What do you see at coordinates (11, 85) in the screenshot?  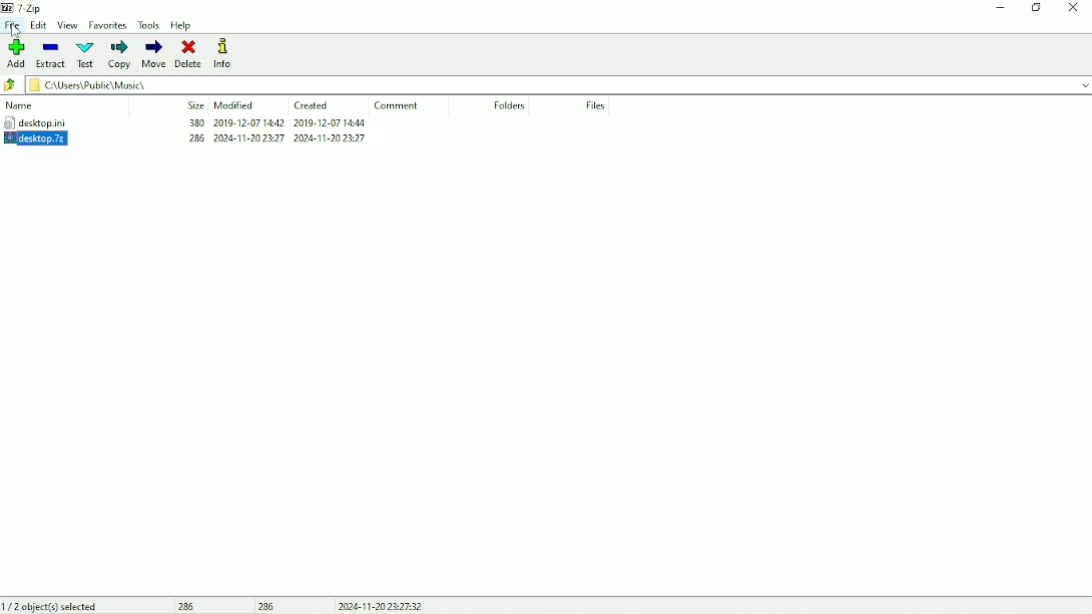 I see `Back` at bounding box center [11, 85].